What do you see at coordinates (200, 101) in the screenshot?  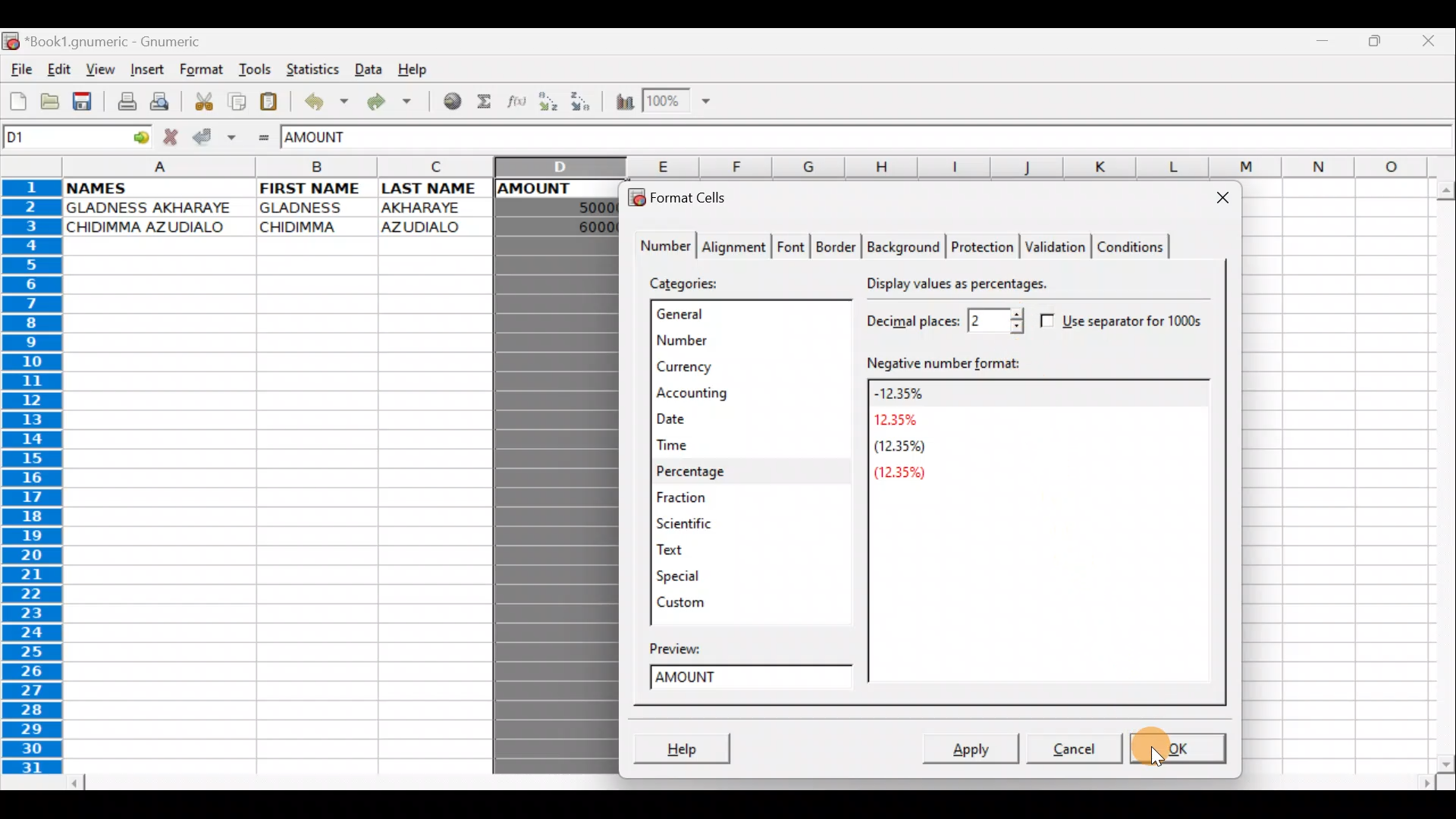 I see `Cut selection` at bounding box center [200, 101].